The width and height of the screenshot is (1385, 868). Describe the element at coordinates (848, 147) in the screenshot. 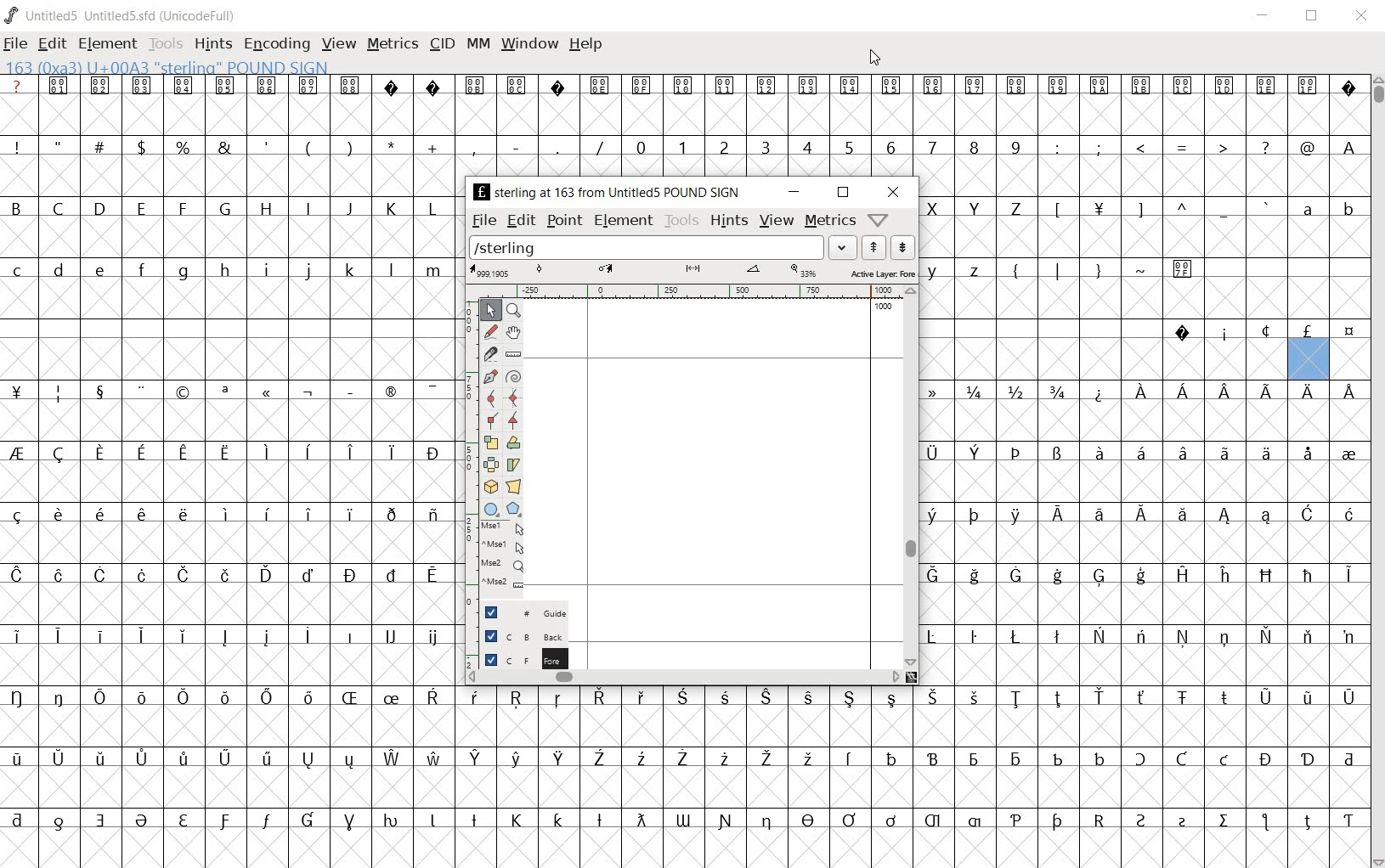

I see `5` at that location.